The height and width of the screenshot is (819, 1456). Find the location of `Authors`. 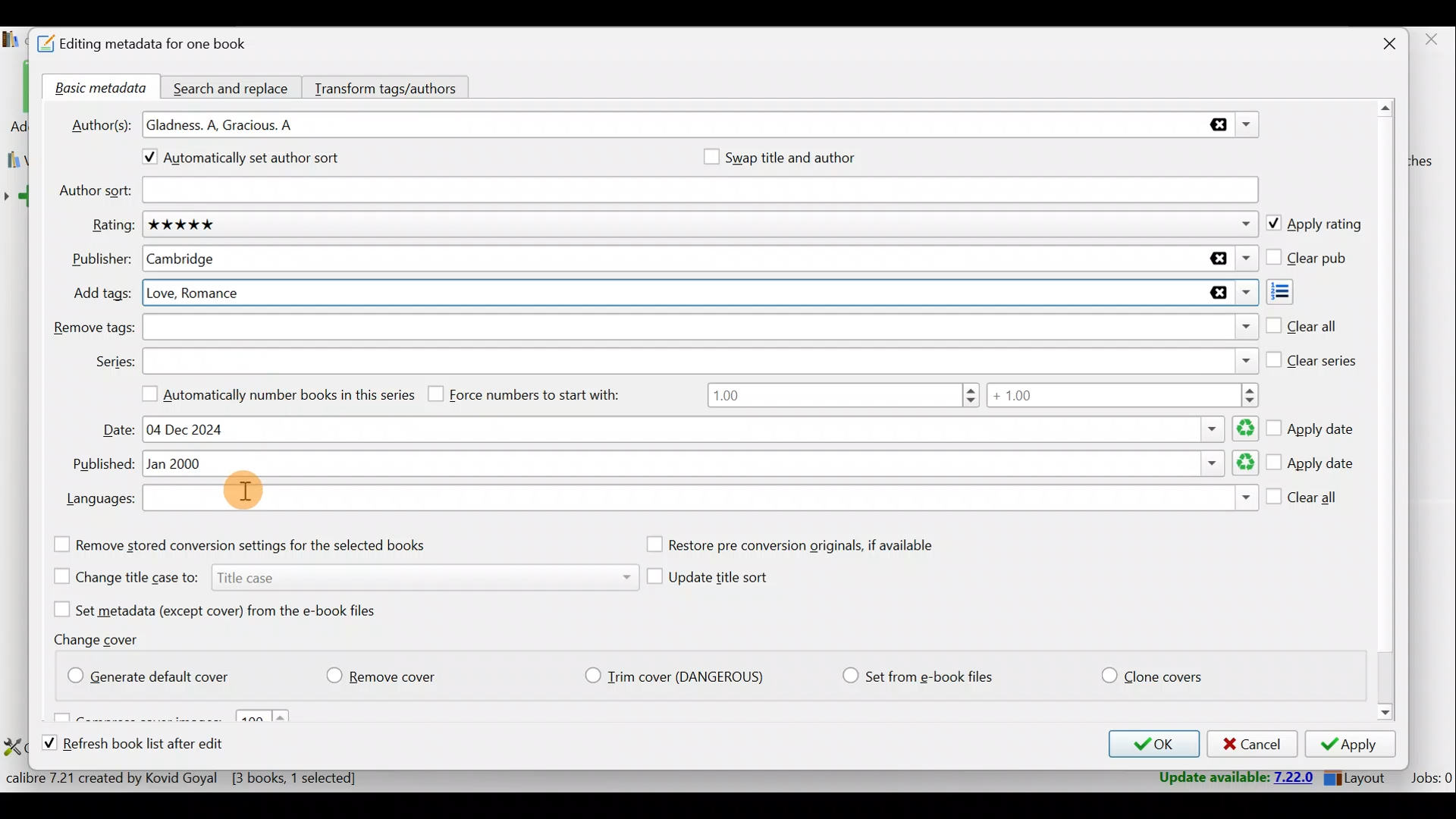

Authors is located at coordinates (702, 126).